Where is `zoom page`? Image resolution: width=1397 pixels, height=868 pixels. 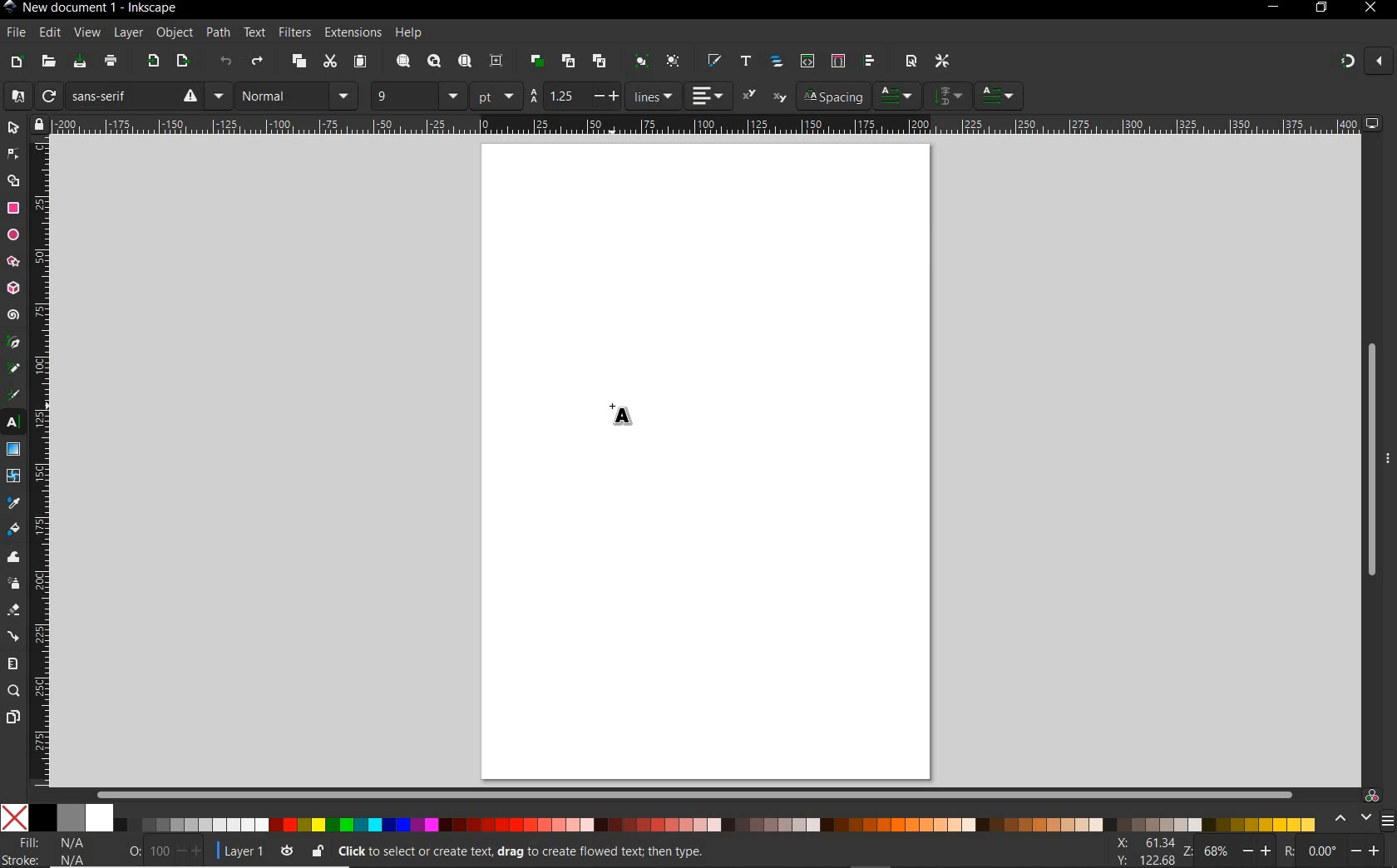 zoom page is located at coordinates (466, 62).